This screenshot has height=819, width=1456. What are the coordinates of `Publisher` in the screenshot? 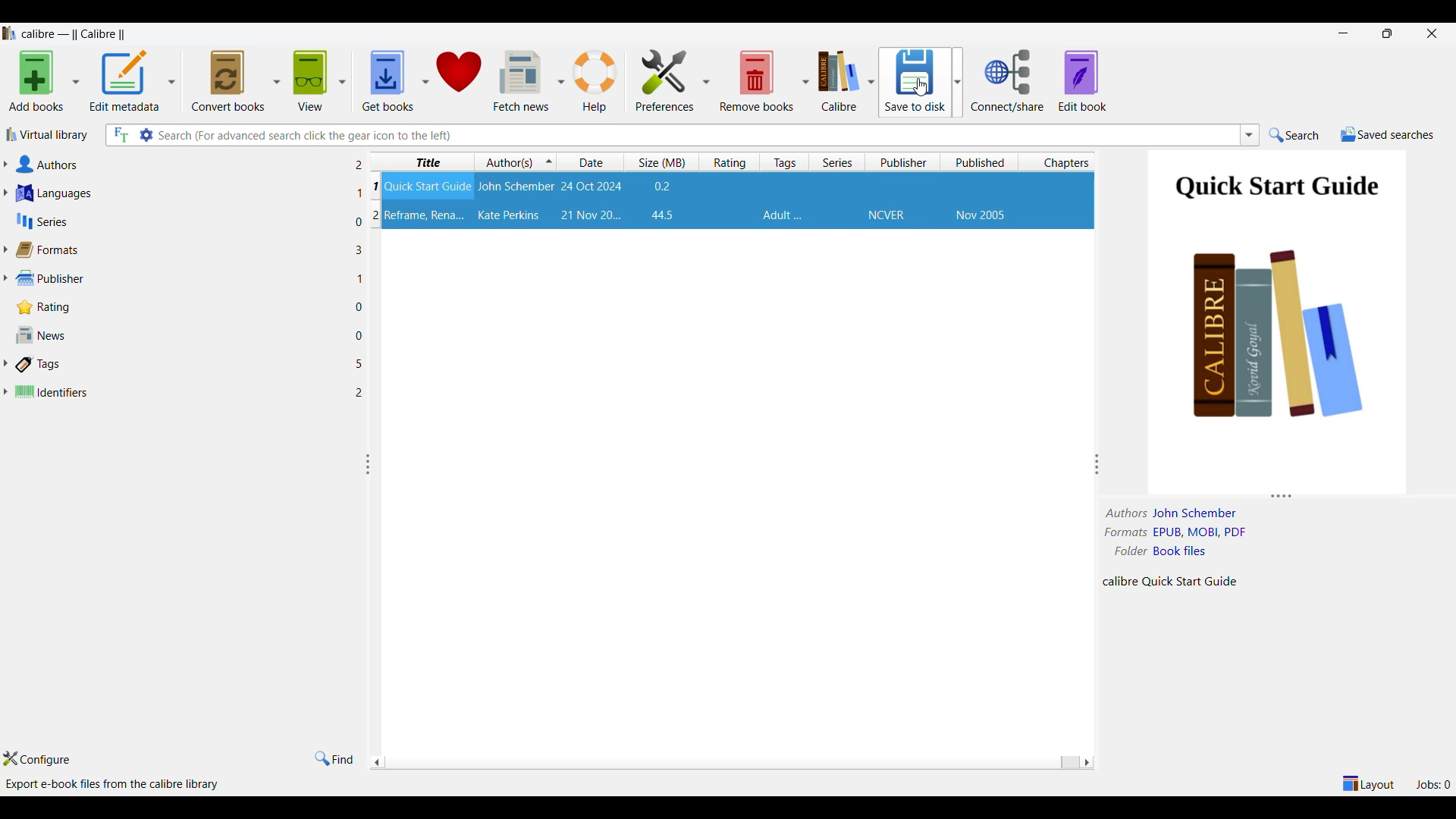 It's located at (886, 216).